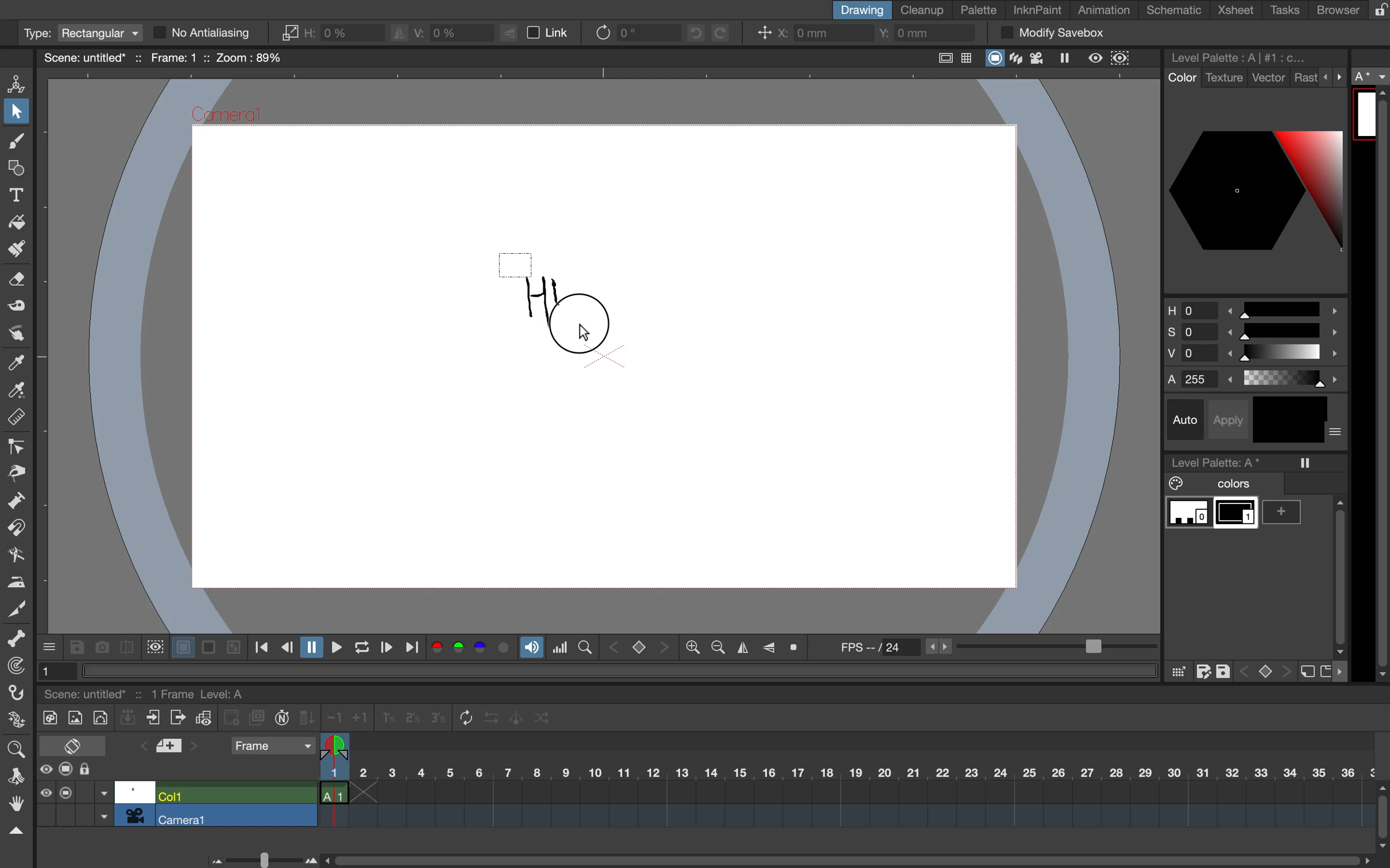 This screenshot has height=868, width=1390. Describe the element at coordinates (13, 555) in the screenshot. I see `bender tool` at that location.